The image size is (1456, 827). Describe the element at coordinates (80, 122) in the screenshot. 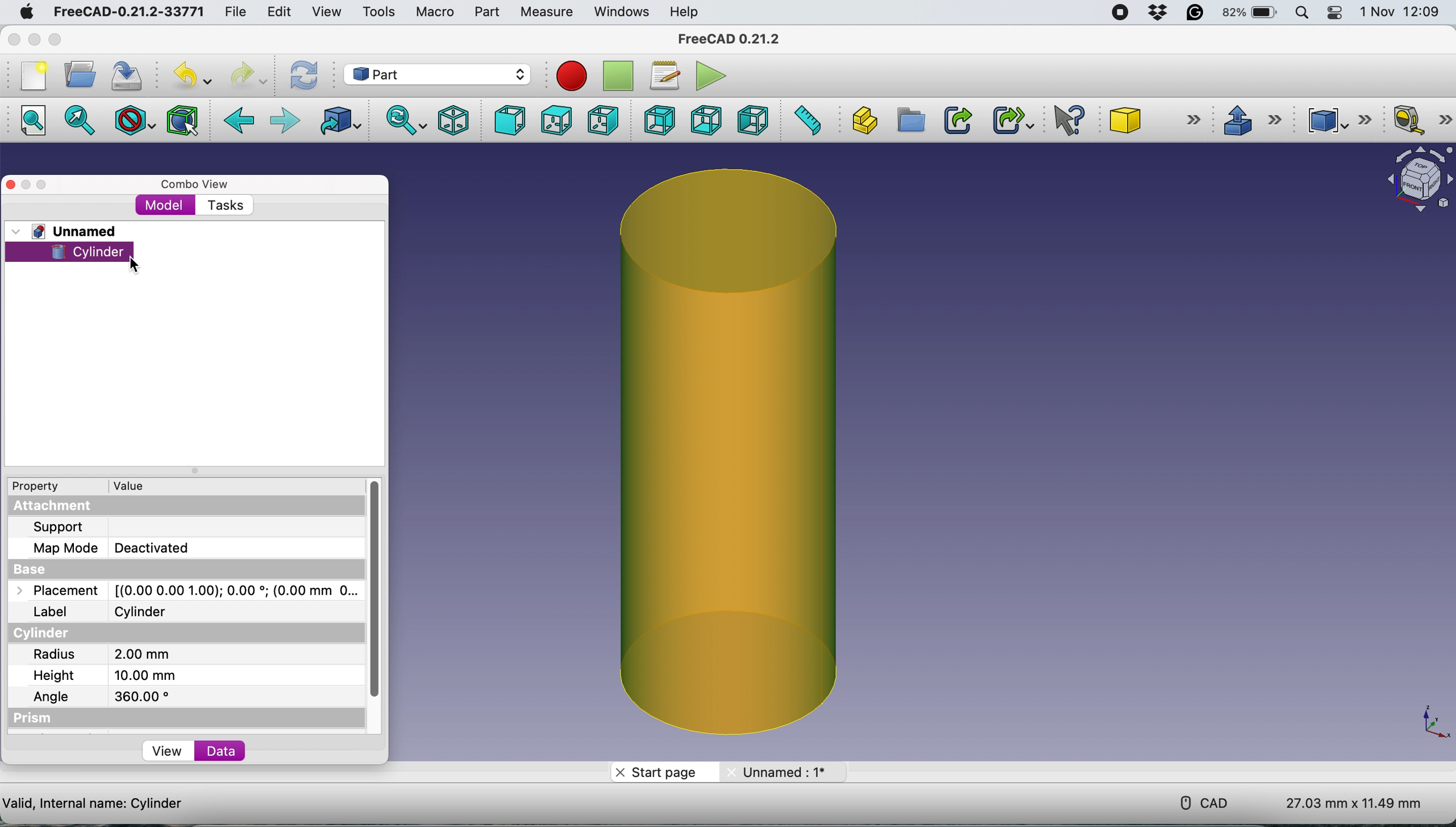

I see `fit selection` at that location.